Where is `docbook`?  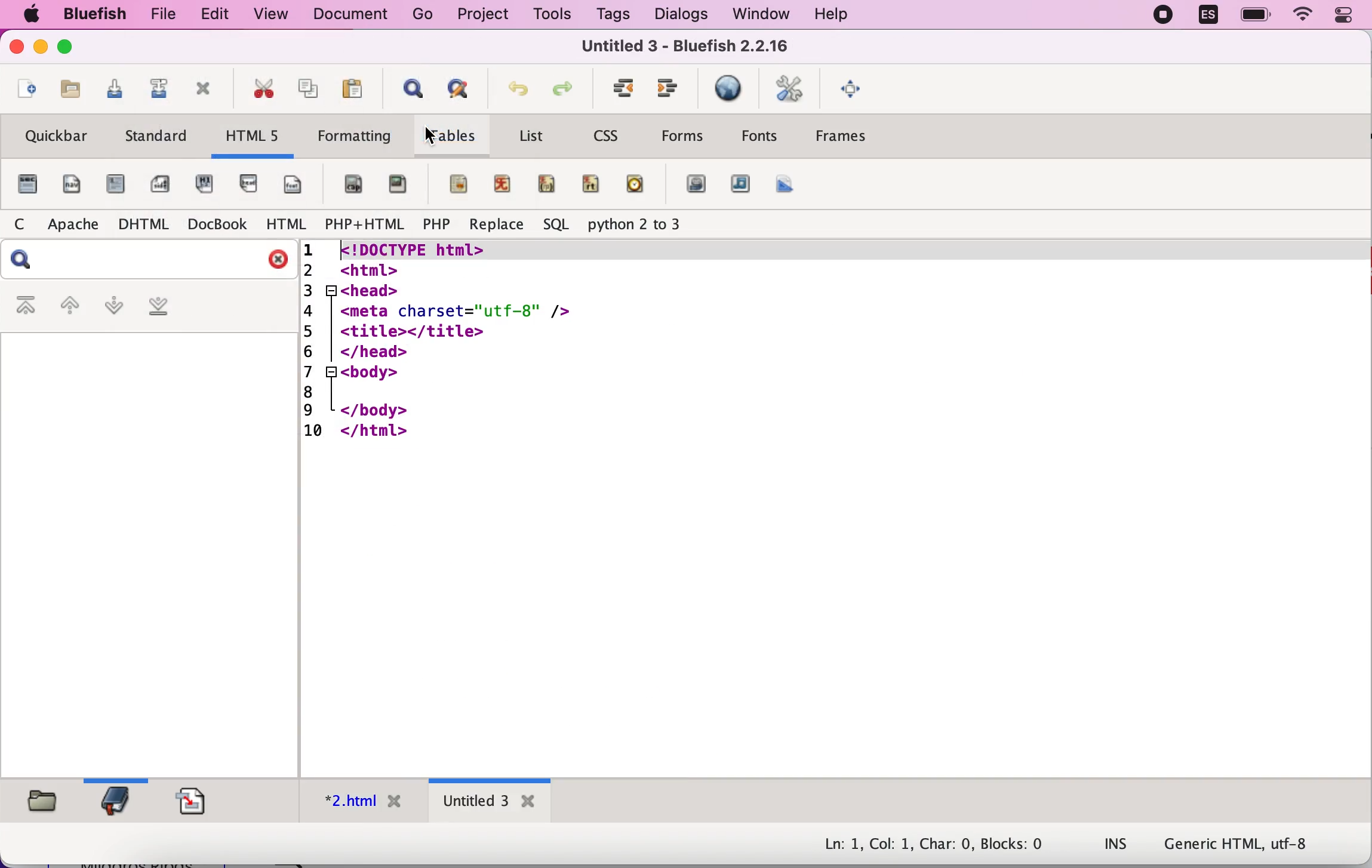 docbook is located at coordinates (215, 223).